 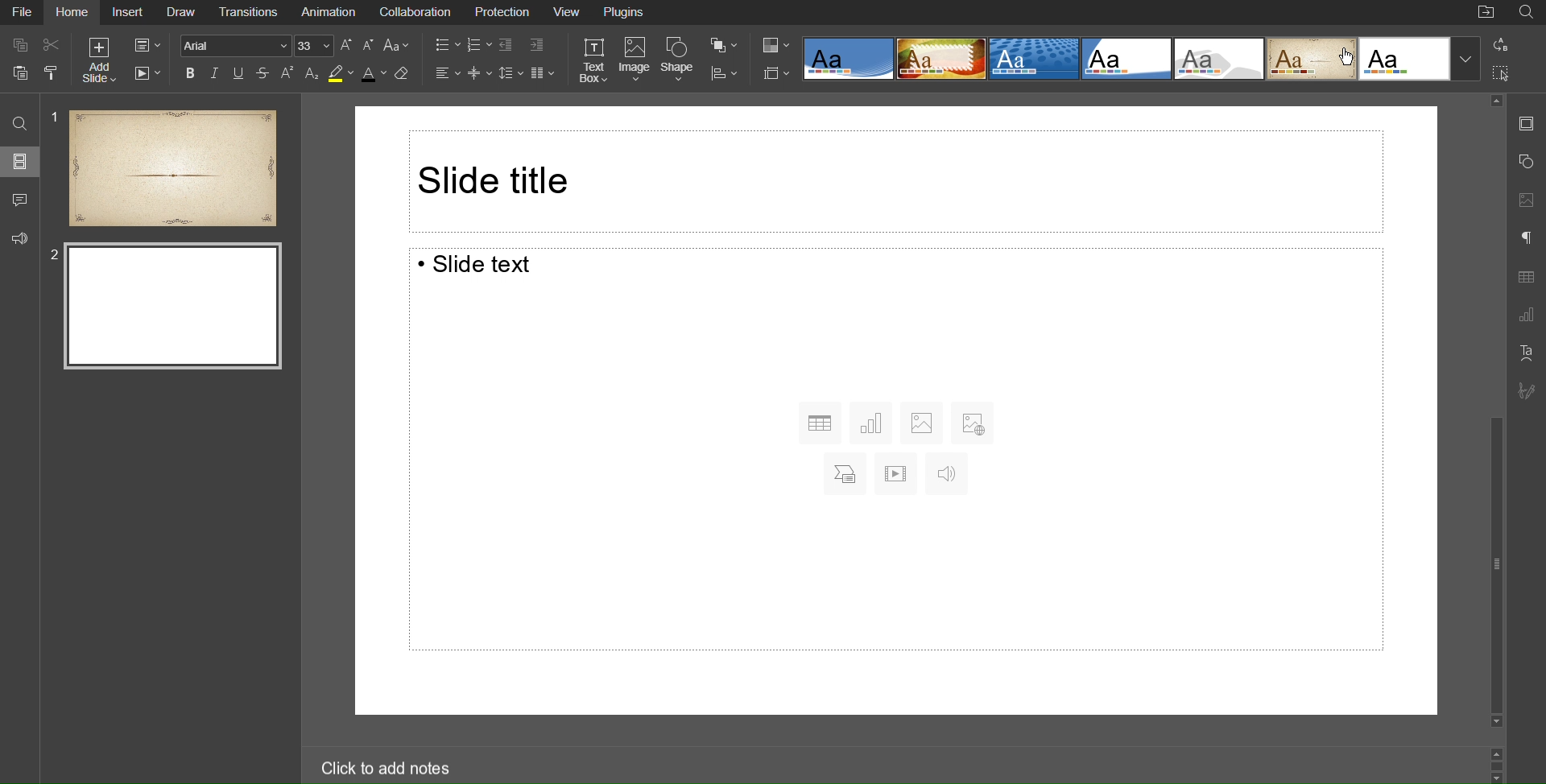 What do you see at coordinates (399, 47) in the screenshot?
I see `Font Case` at bounding box center [399, 47].